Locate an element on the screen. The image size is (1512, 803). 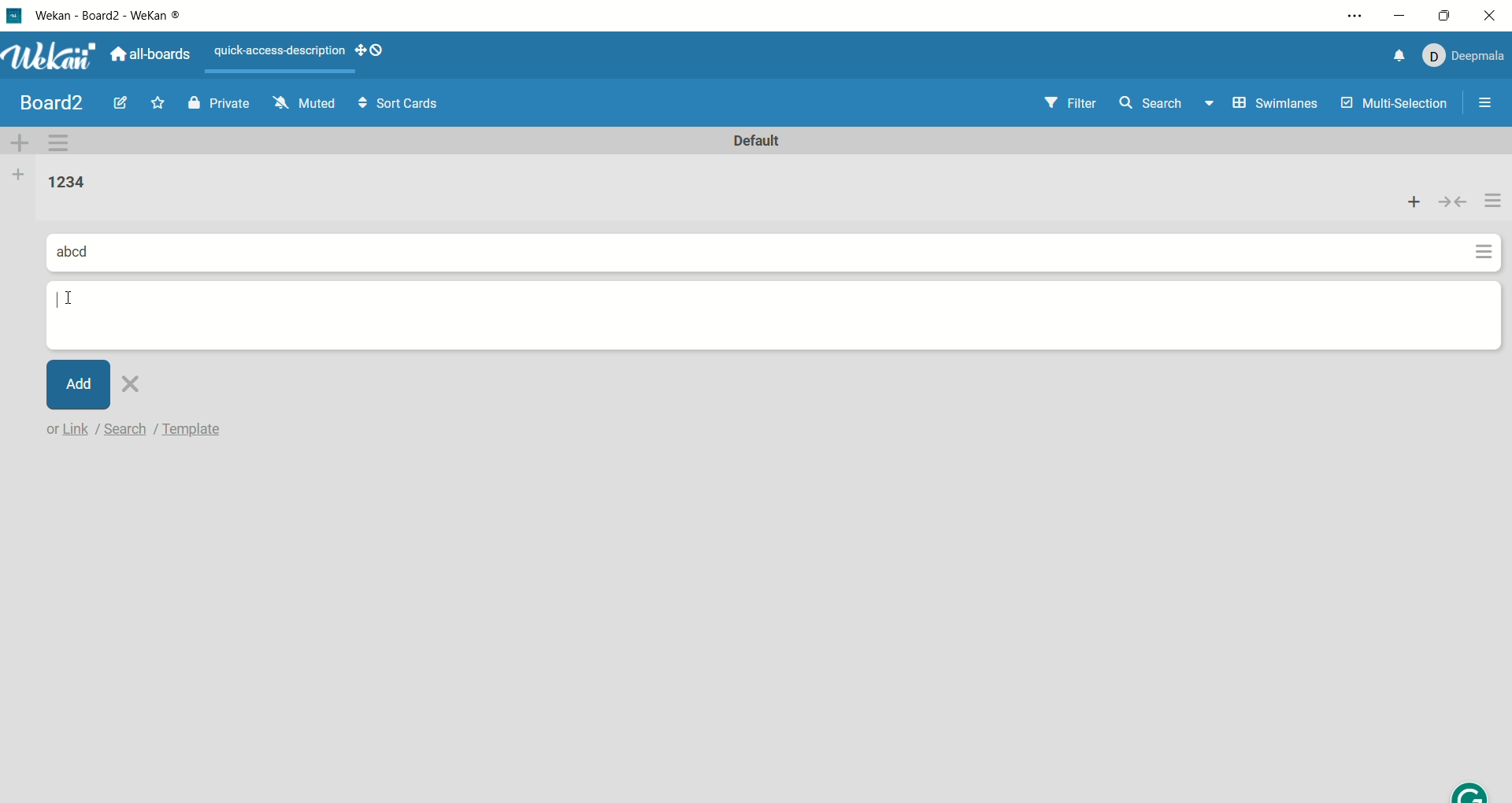
swimlane action is located at coordinates (65, 141).